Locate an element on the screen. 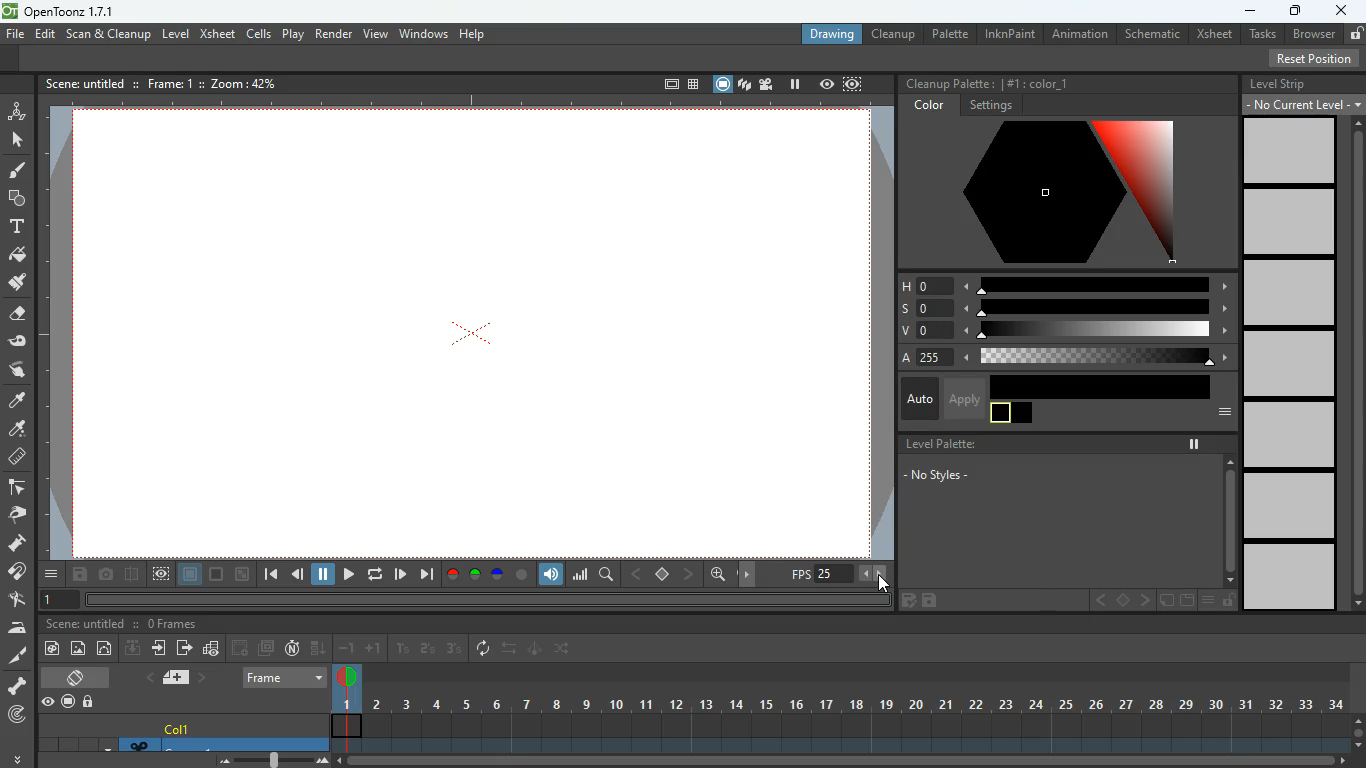 This screenshot has width=1366, height=768. edit is located at coordinates (1165, 601).